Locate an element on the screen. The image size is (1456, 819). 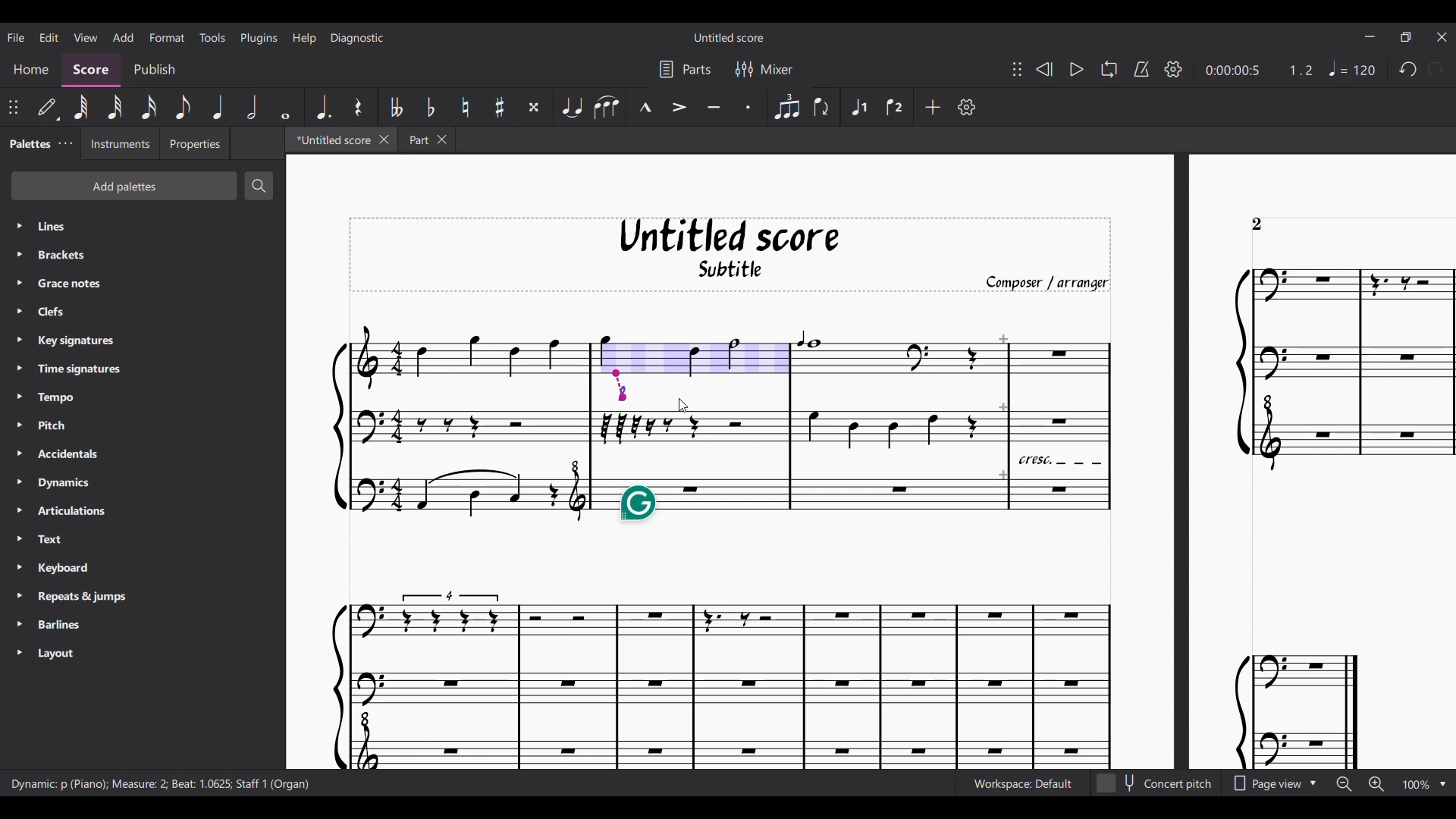
Toggle double flat is located at coordinates (394, 107).